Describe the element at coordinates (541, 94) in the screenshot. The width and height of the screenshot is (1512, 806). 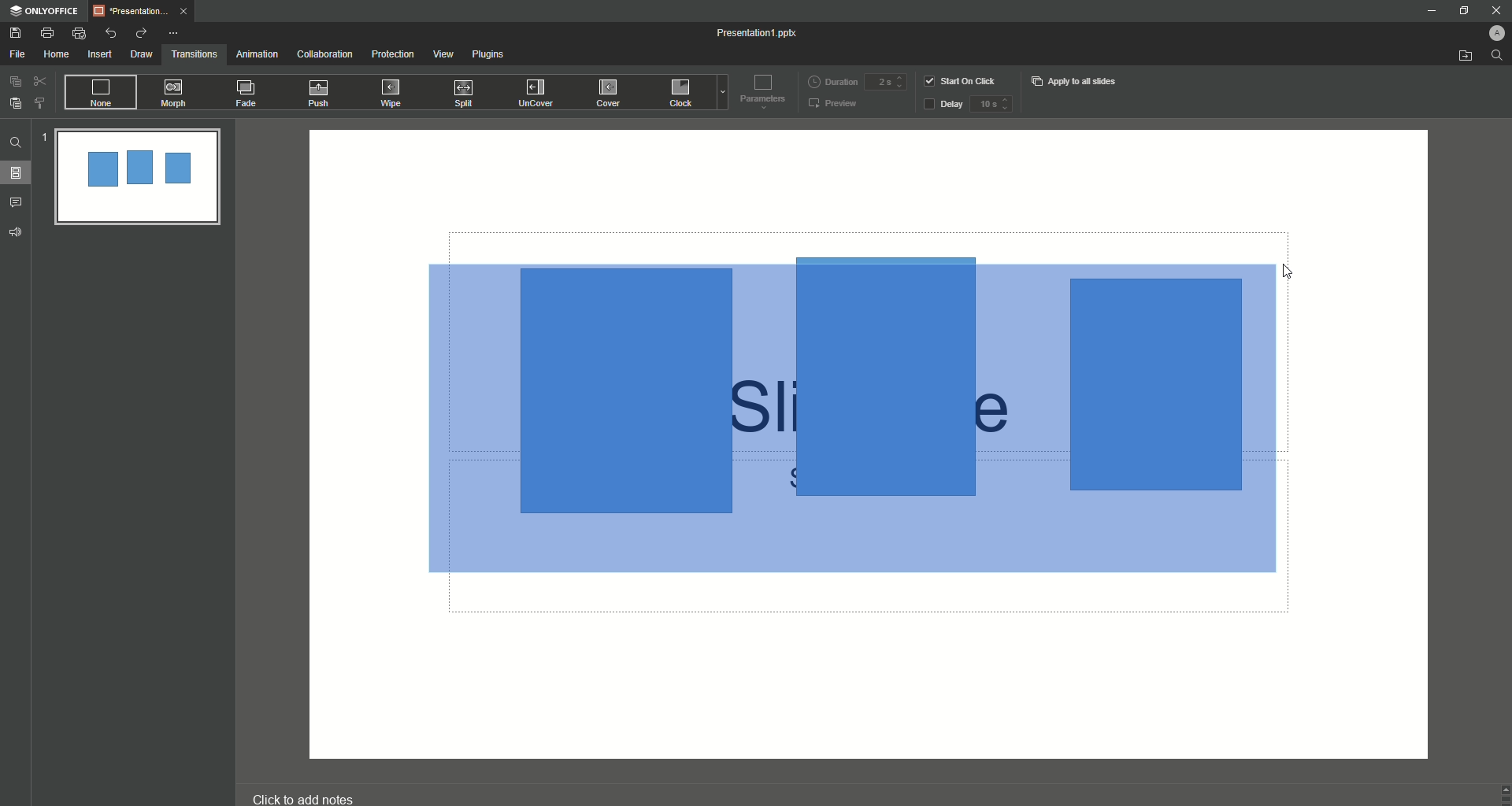
I see `UnCover` at that location.